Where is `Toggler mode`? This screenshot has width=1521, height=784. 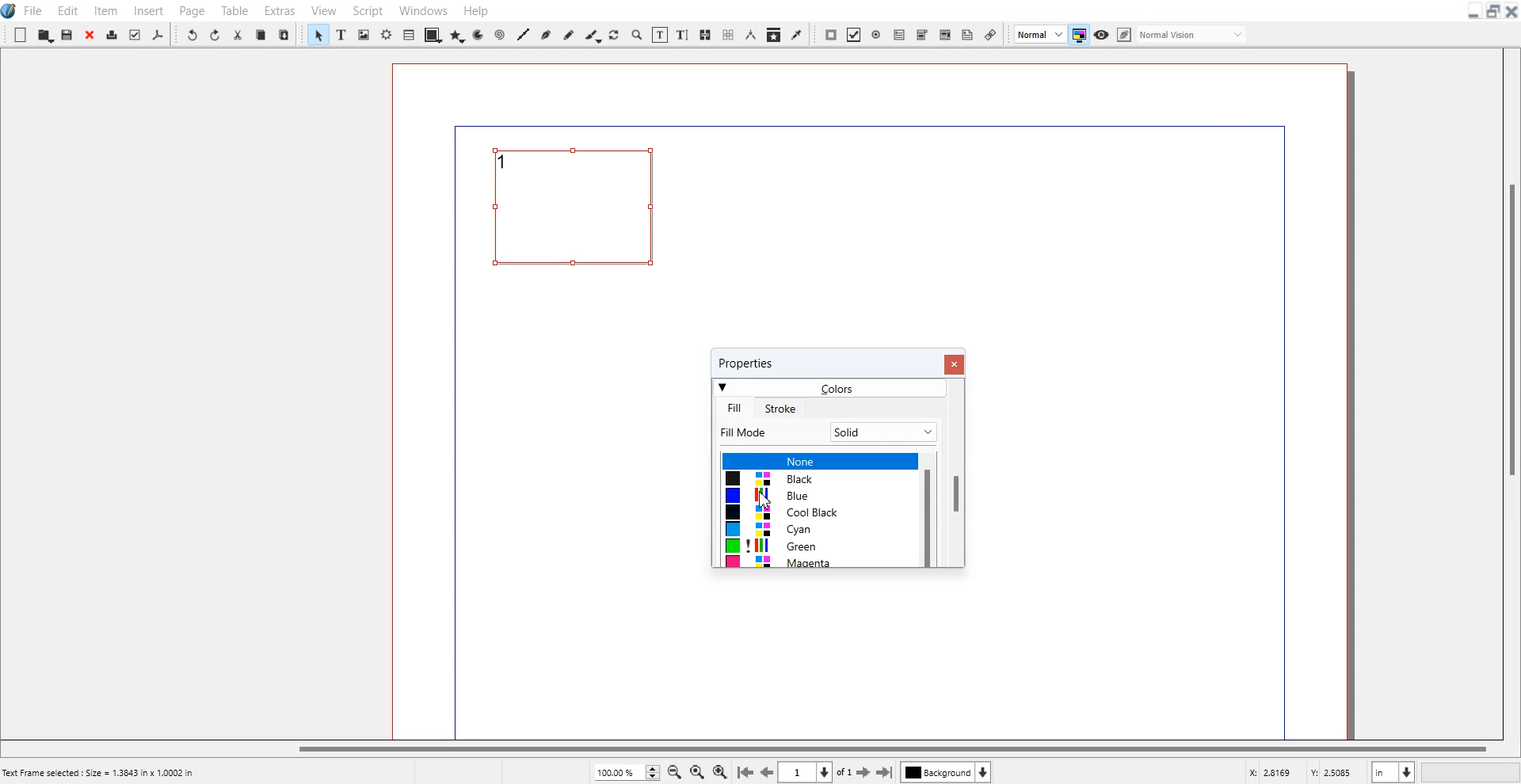
Toggler mode is located at coordinates (1078, 34).